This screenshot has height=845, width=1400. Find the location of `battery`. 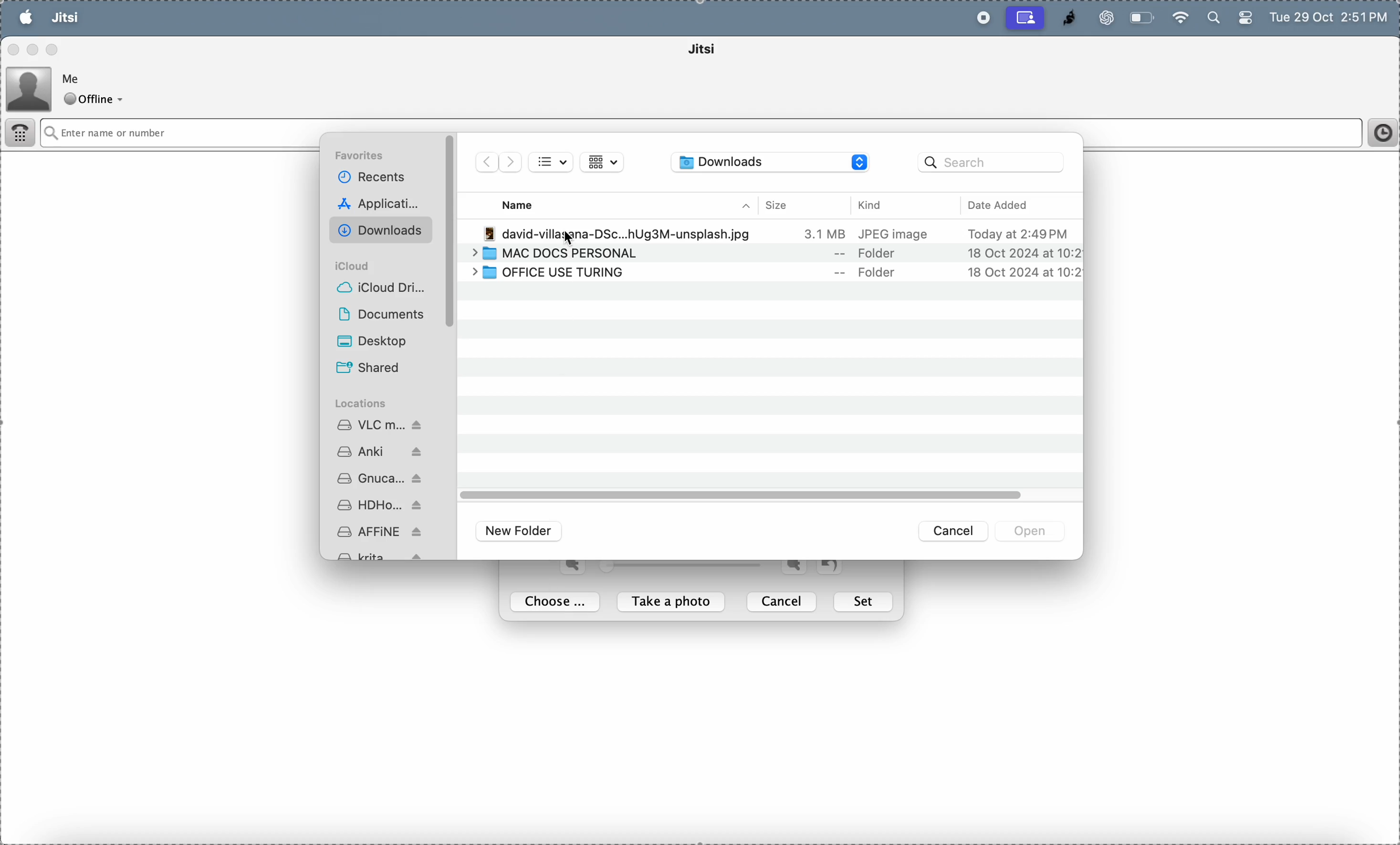

battery is located at coordinates (1244, 20).